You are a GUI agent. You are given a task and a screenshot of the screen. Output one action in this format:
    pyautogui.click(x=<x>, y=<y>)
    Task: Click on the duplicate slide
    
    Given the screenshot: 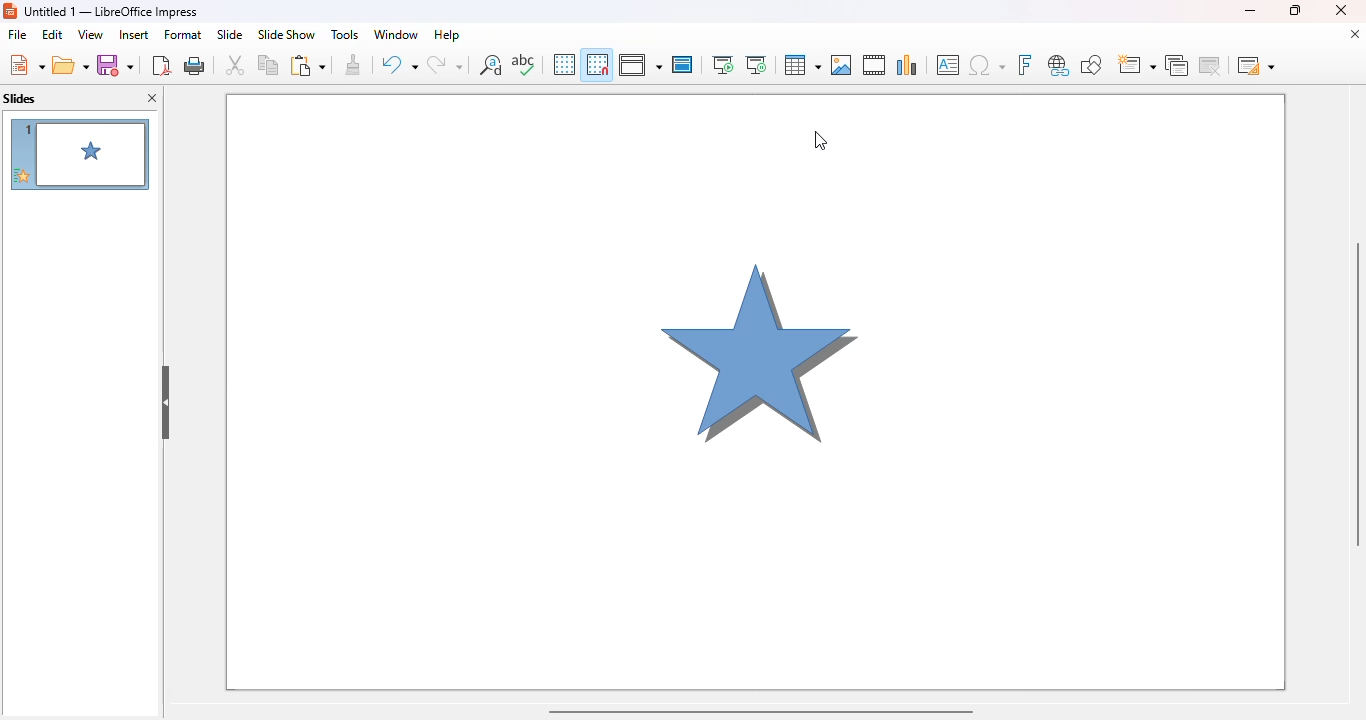 What is the action you would take?
    pyautogui.click(x=1177, y=66)
    